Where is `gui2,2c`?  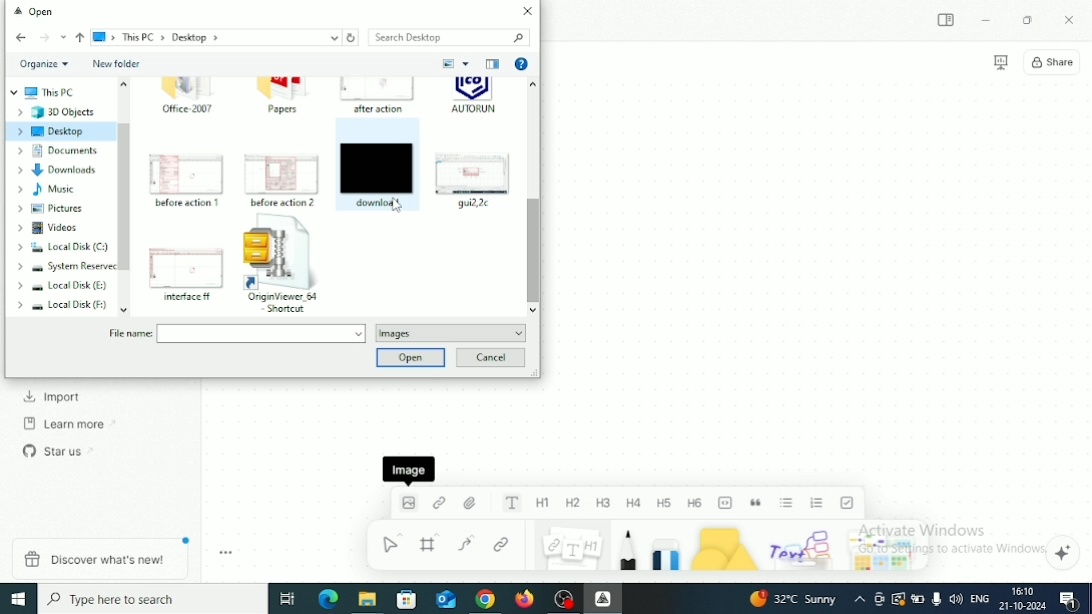 gui2,2c is located at coordinates (472, 179).